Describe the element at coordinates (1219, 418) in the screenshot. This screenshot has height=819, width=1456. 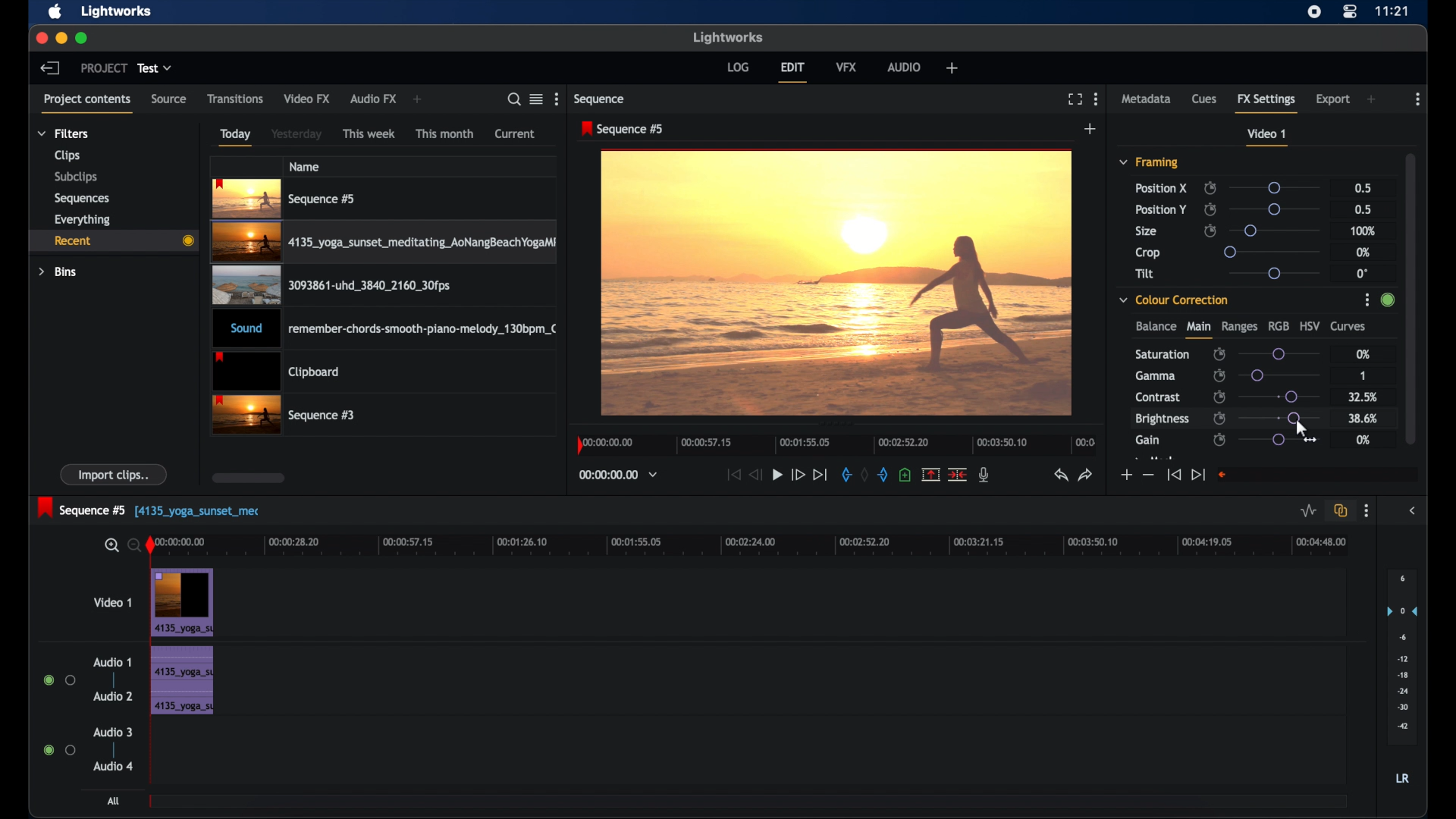
I see `enable/disable keyframes` at that location.